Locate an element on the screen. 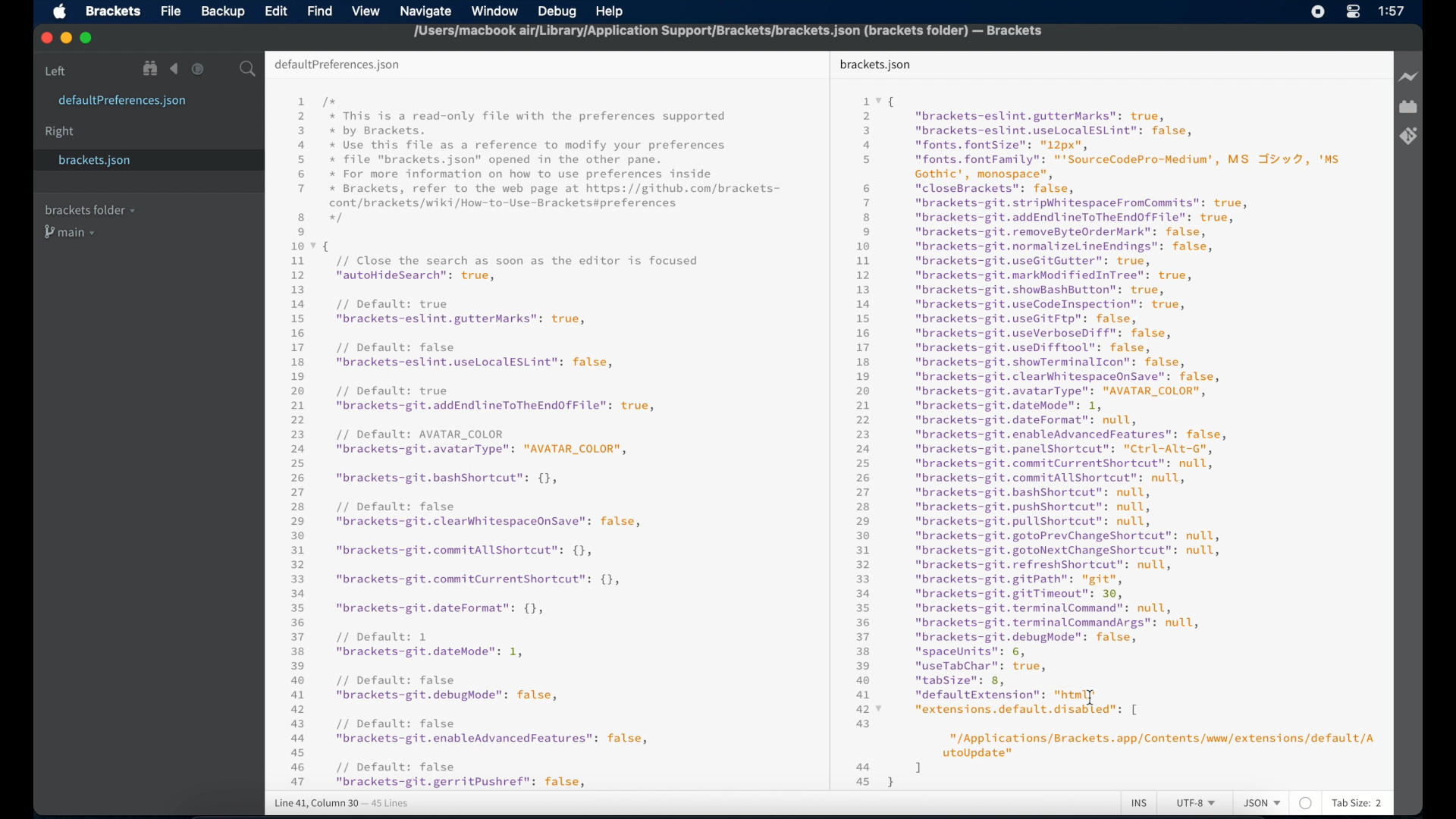 The width and height of the screenshot is (1456, 819). debug is located at coordinates (558, 12).